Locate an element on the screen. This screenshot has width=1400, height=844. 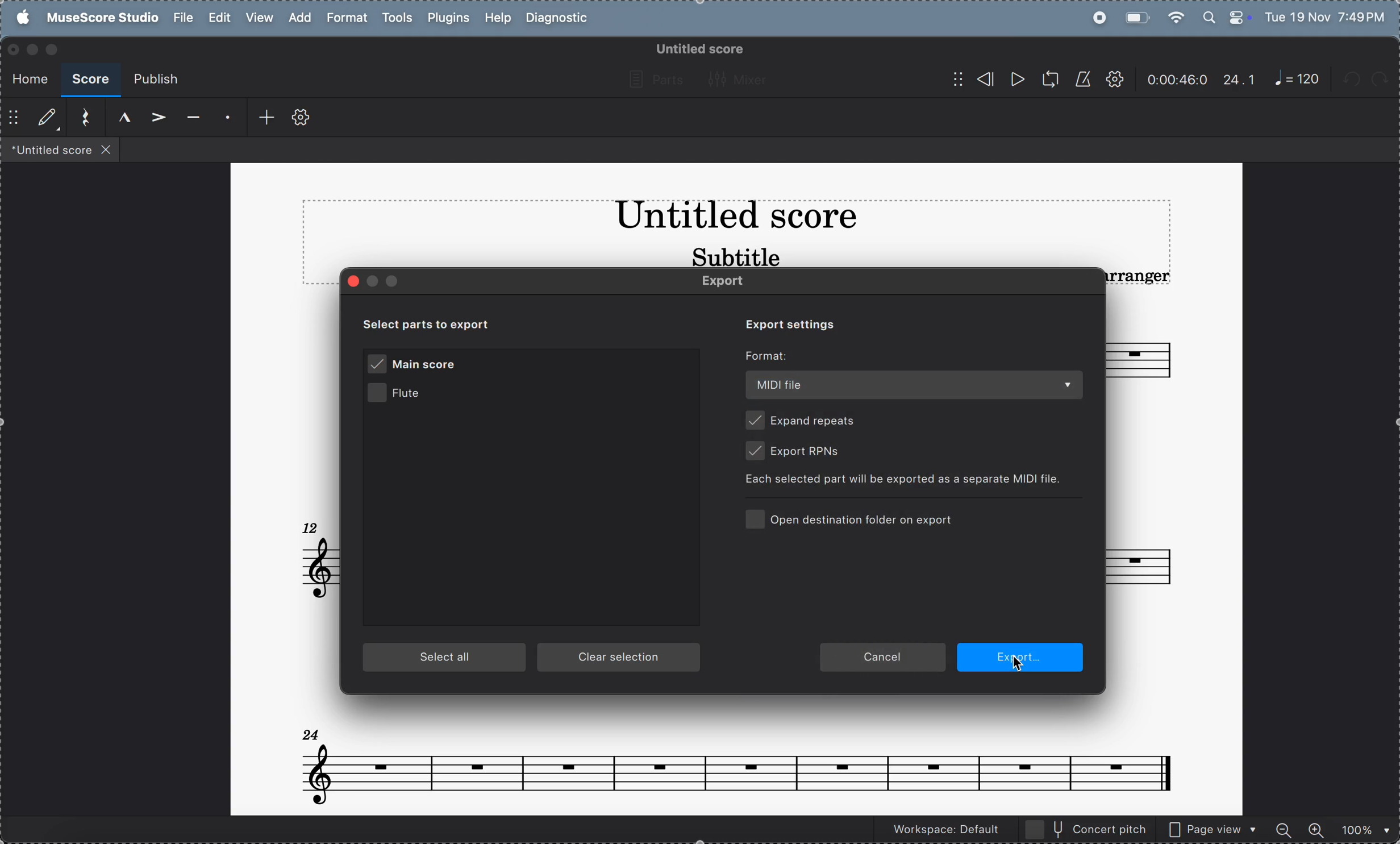
title is located at coordinates (735, 218).